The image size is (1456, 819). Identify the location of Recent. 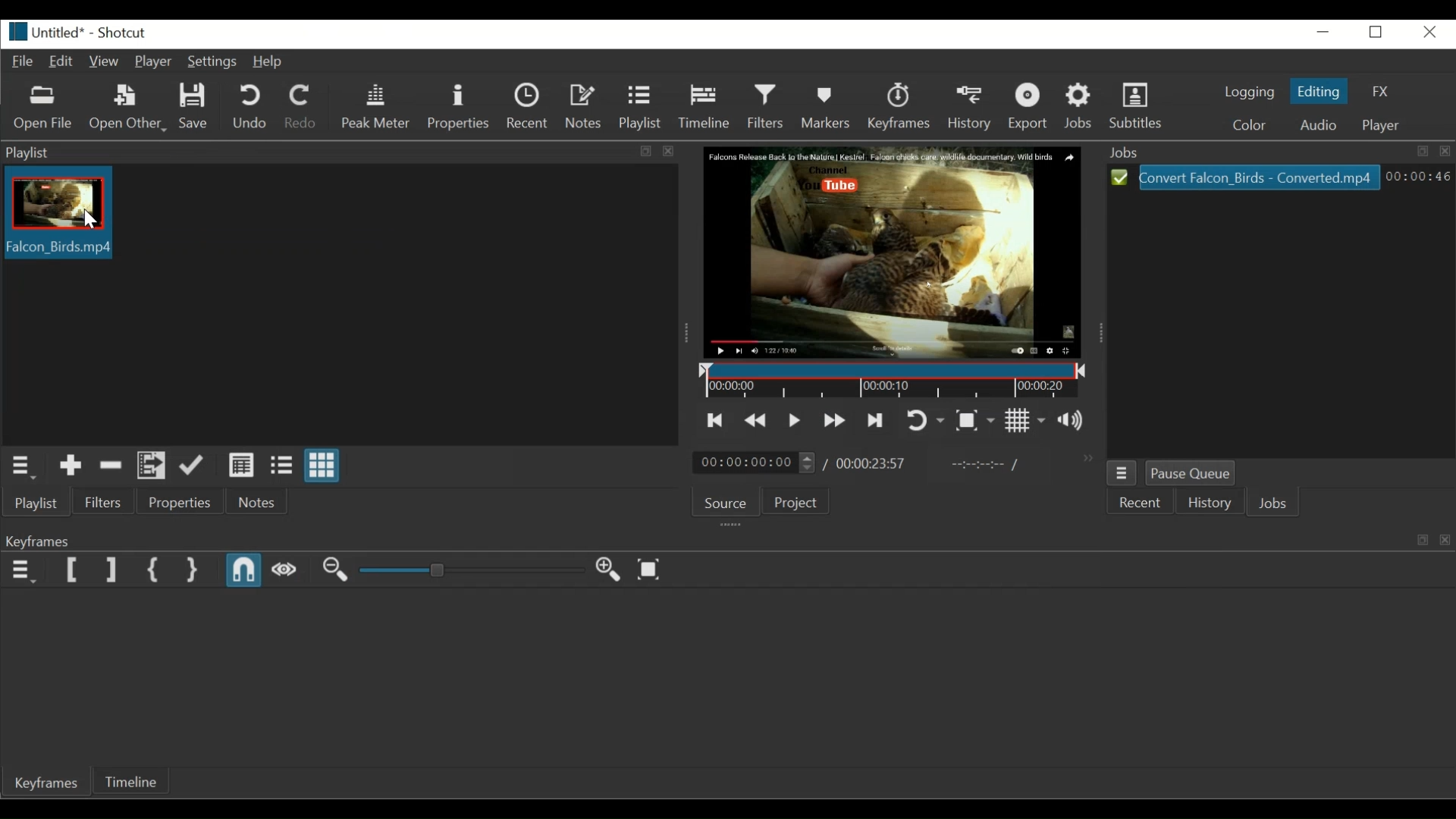
(1139, 503).